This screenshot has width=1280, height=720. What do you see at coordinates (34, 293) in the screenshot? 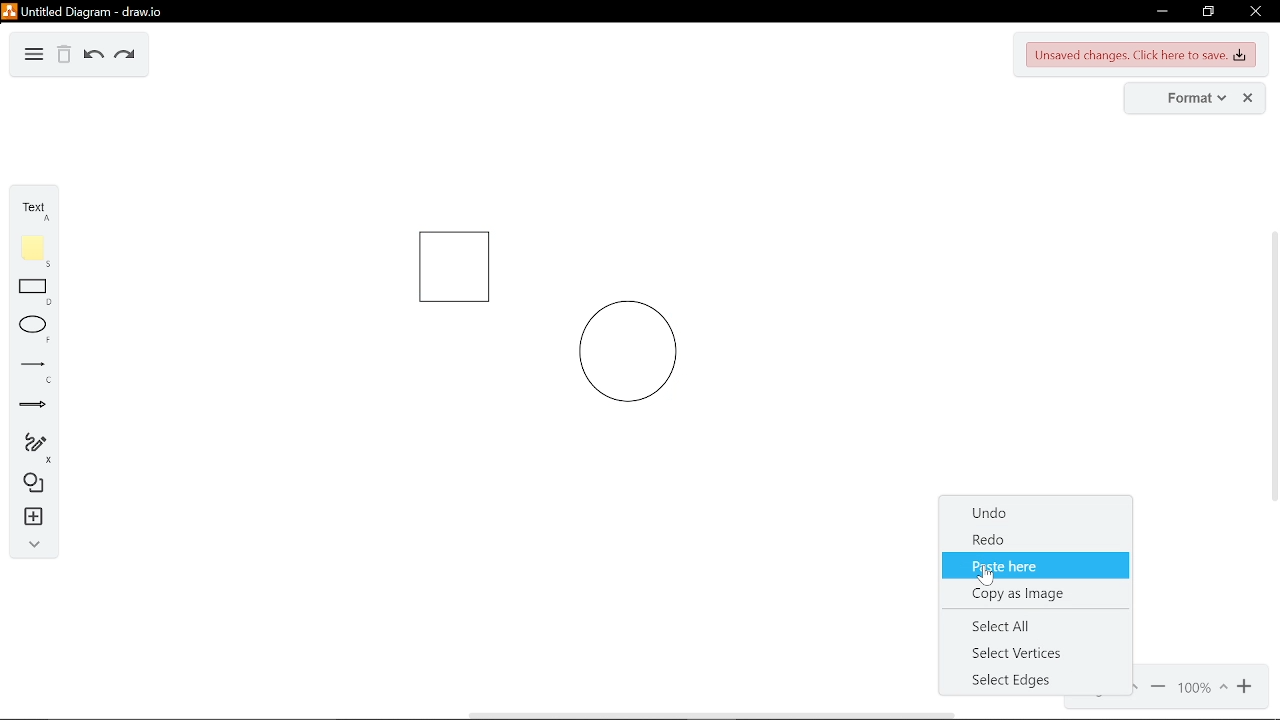
I see `rectangle` at bounding box center [34, 293].